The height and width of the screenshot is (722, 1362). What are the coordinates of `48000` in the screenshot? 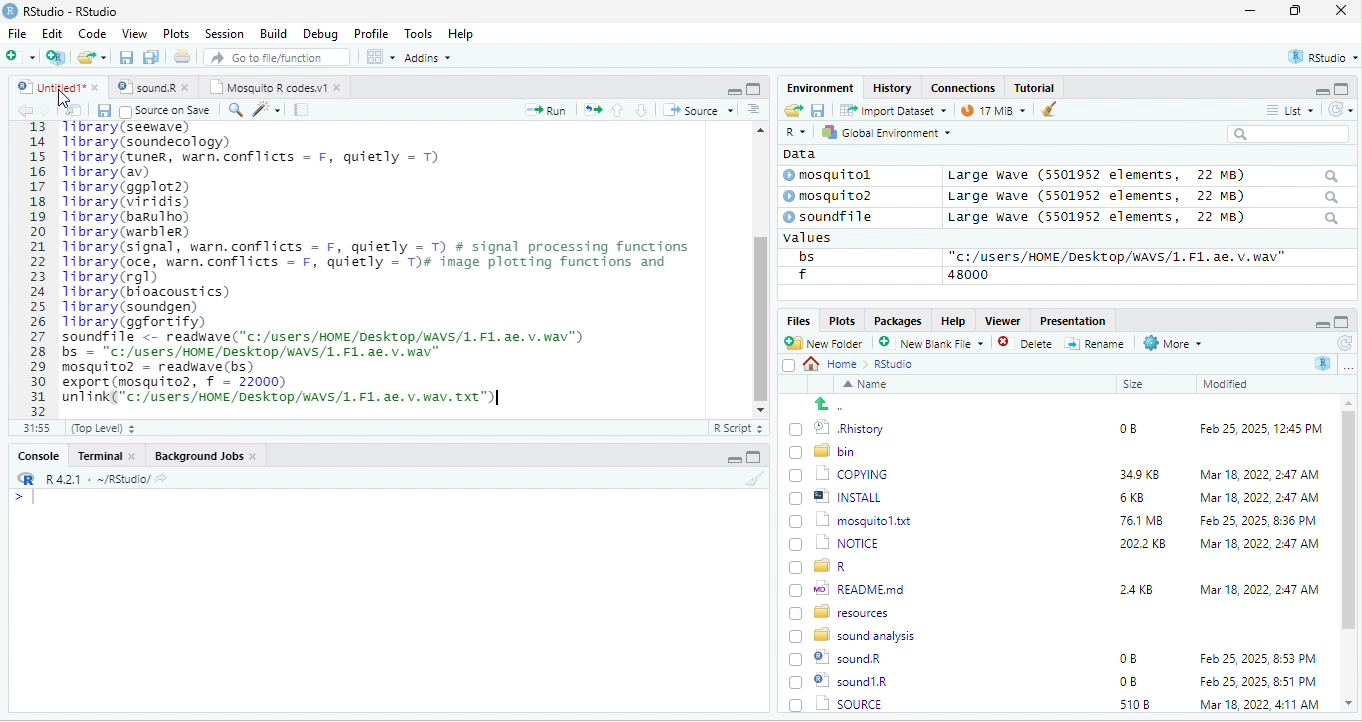 It's located at (969, 274).